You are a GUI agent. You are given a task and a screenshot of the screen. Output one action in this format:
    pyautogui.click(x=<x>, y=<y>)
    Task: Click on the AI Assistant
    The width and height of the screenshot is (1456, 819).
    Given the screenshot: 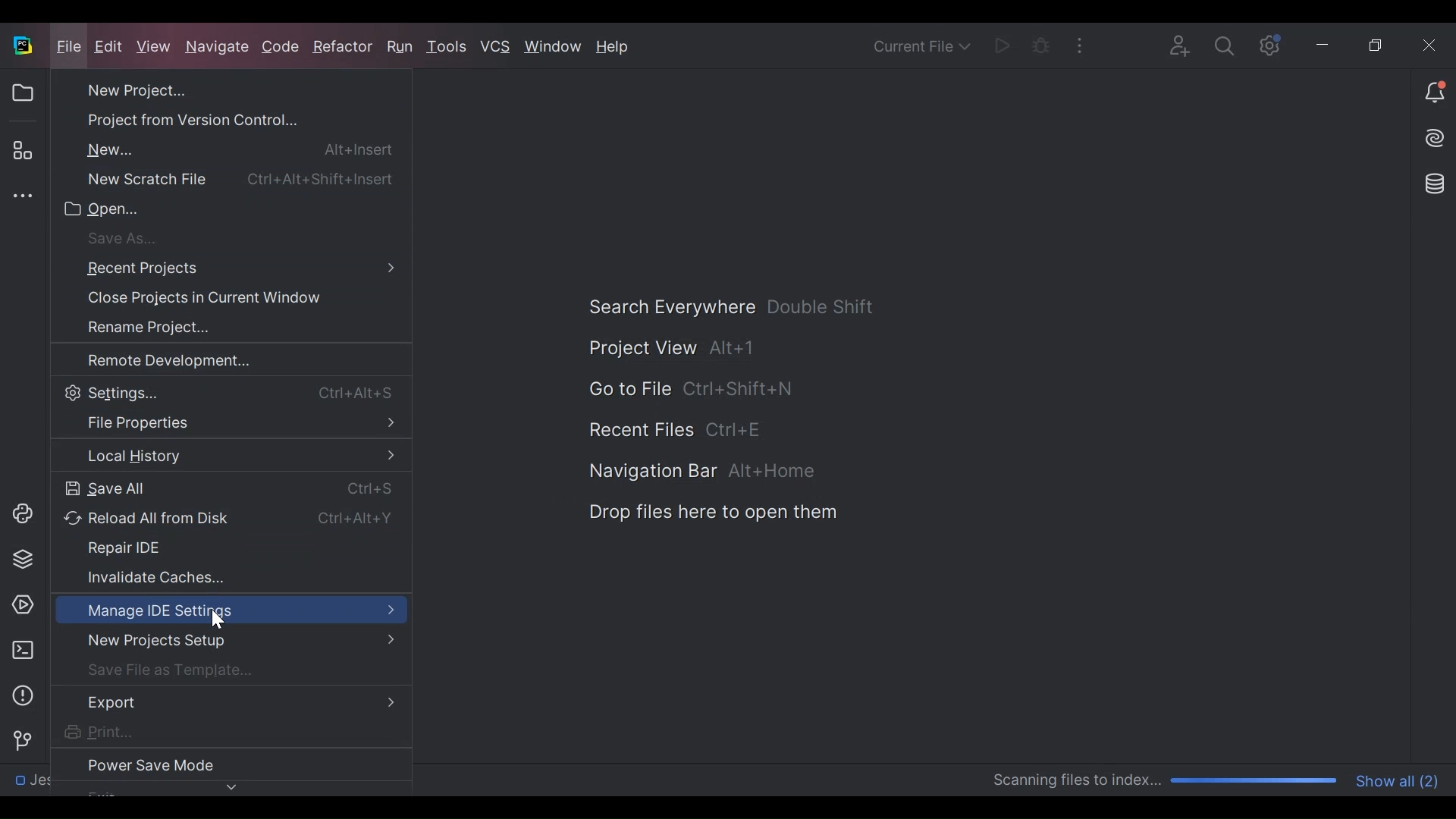 What is the action you would take?
    pyautogui.click(x=1436, y=137)
    